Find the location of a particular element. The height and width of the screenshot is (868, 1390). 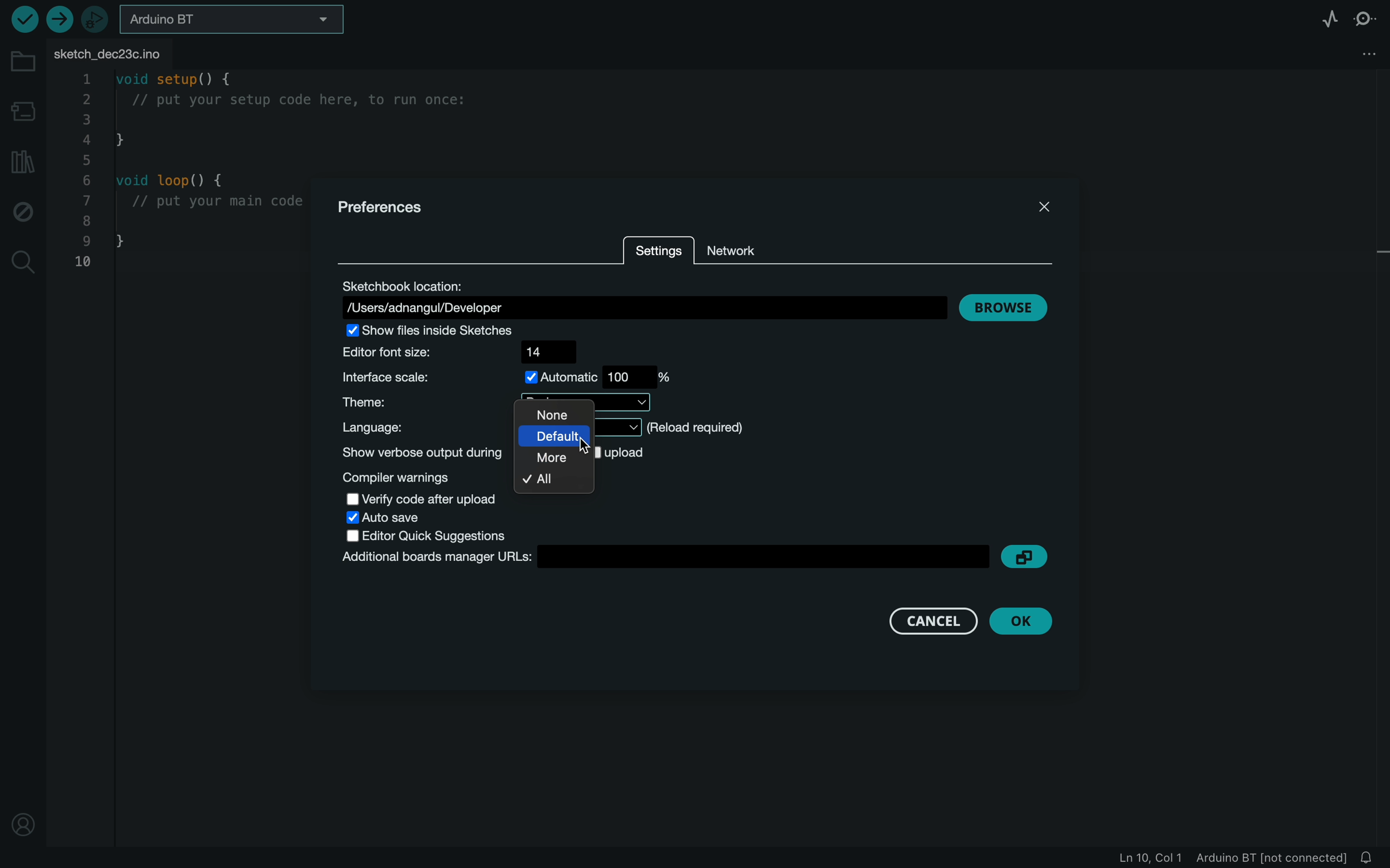

none is located at coordinates (555, 414).